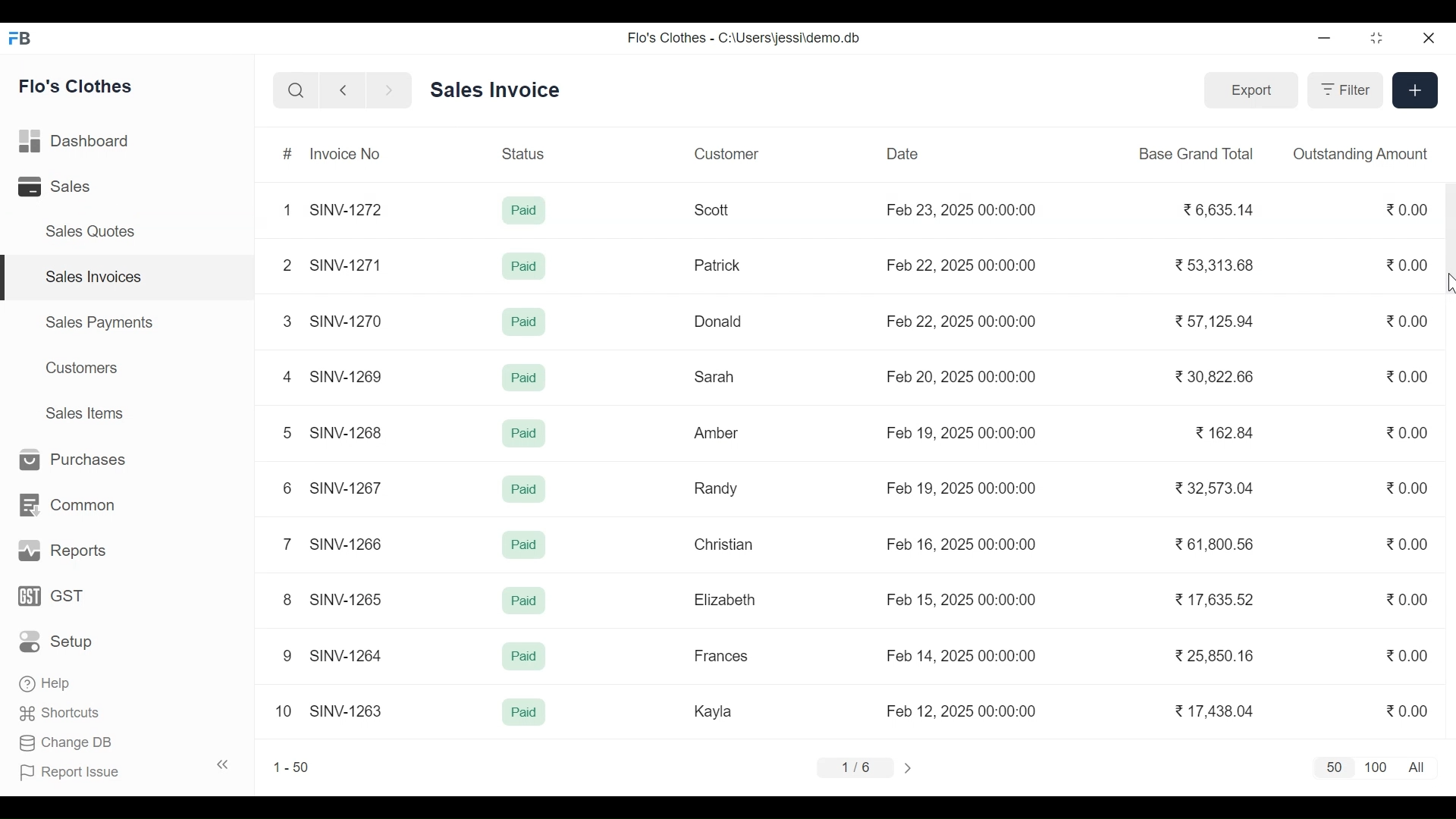 The image size is (1456, 819). I want to click on Setup, so click(61, 641).